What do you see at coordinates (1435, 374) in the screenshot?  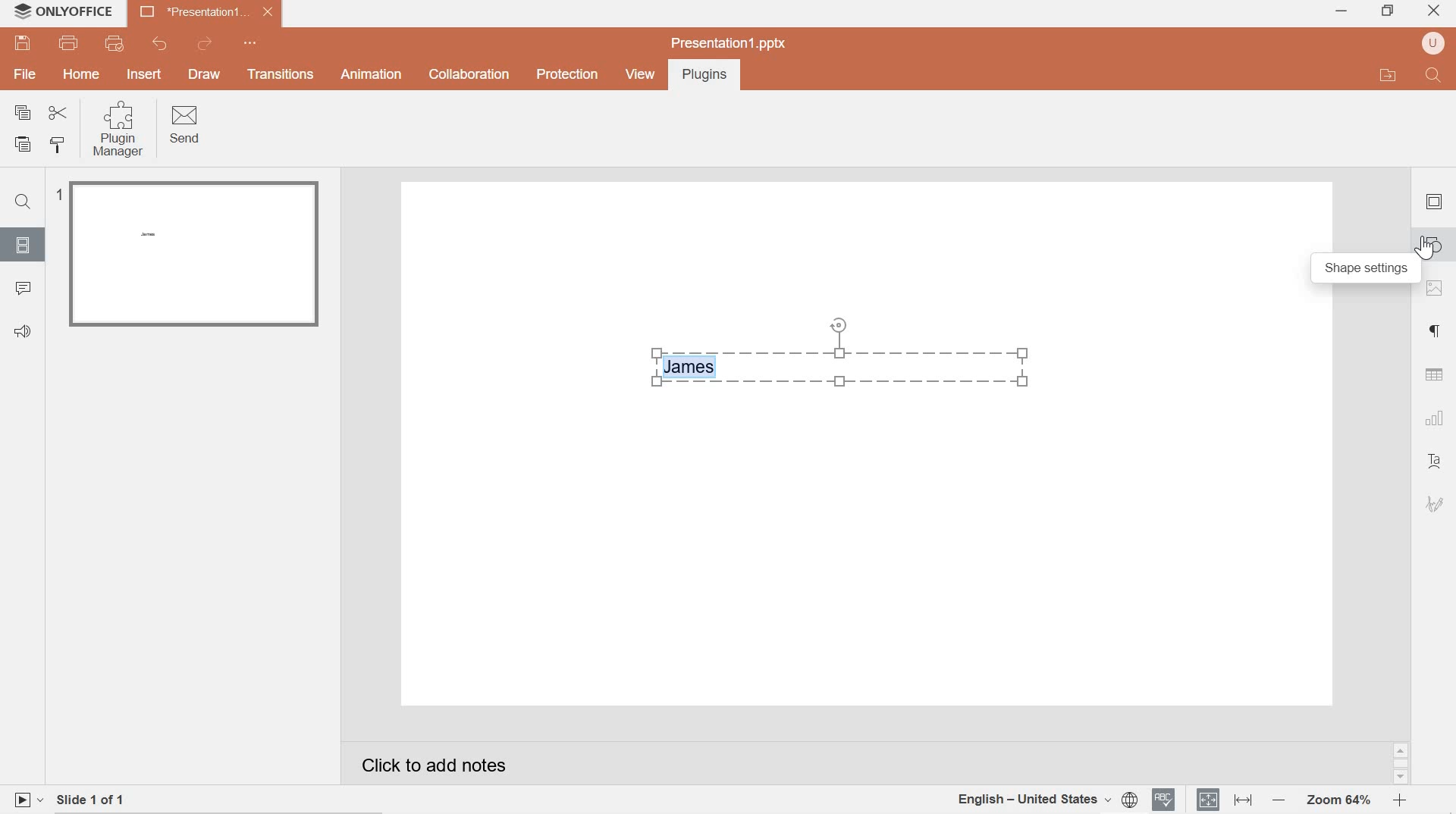 I see `table` at bounding box center [1435, 374].